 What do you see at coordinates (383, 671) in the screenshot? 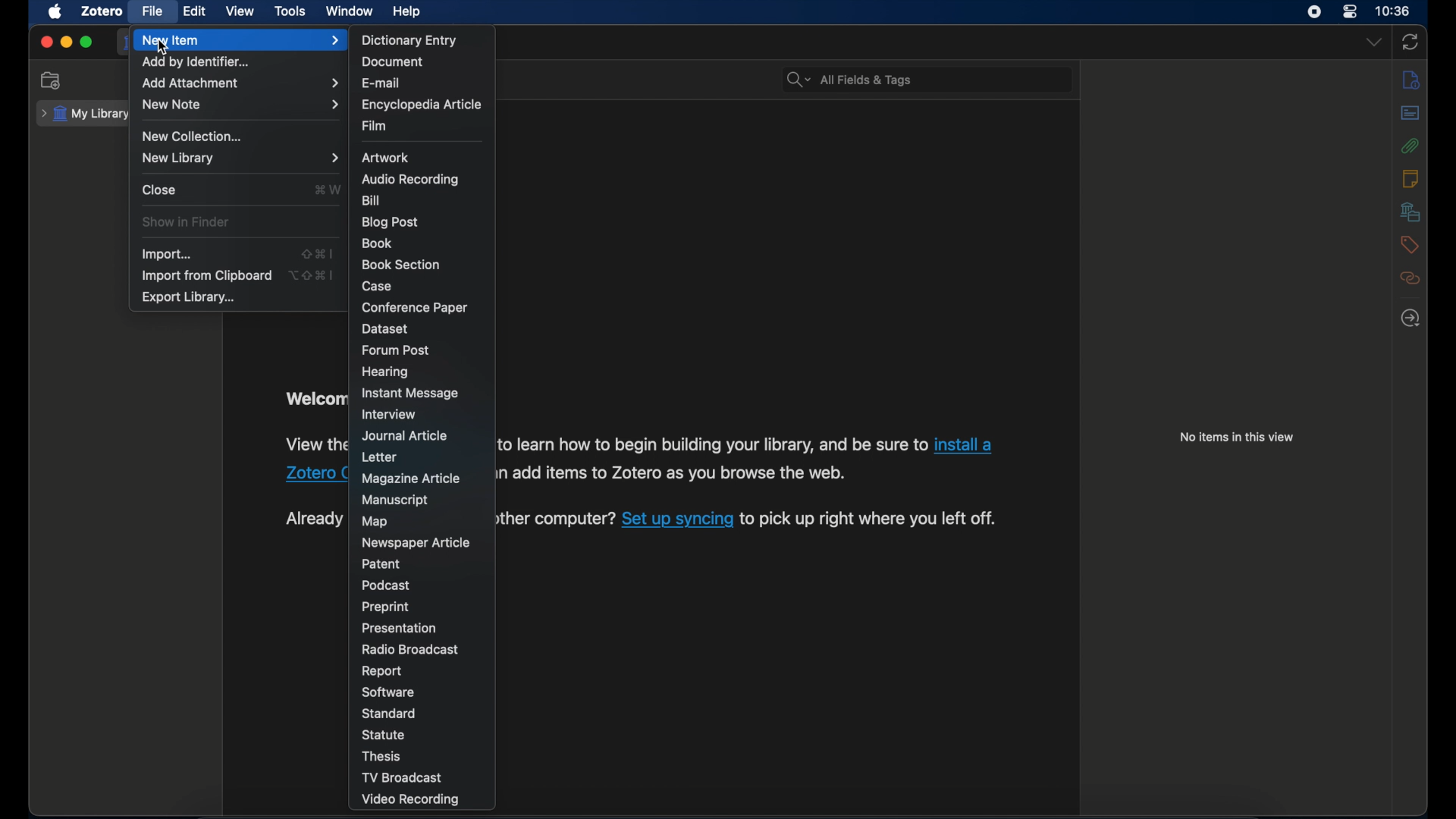
I see `report` at bounding box center [383, 671].